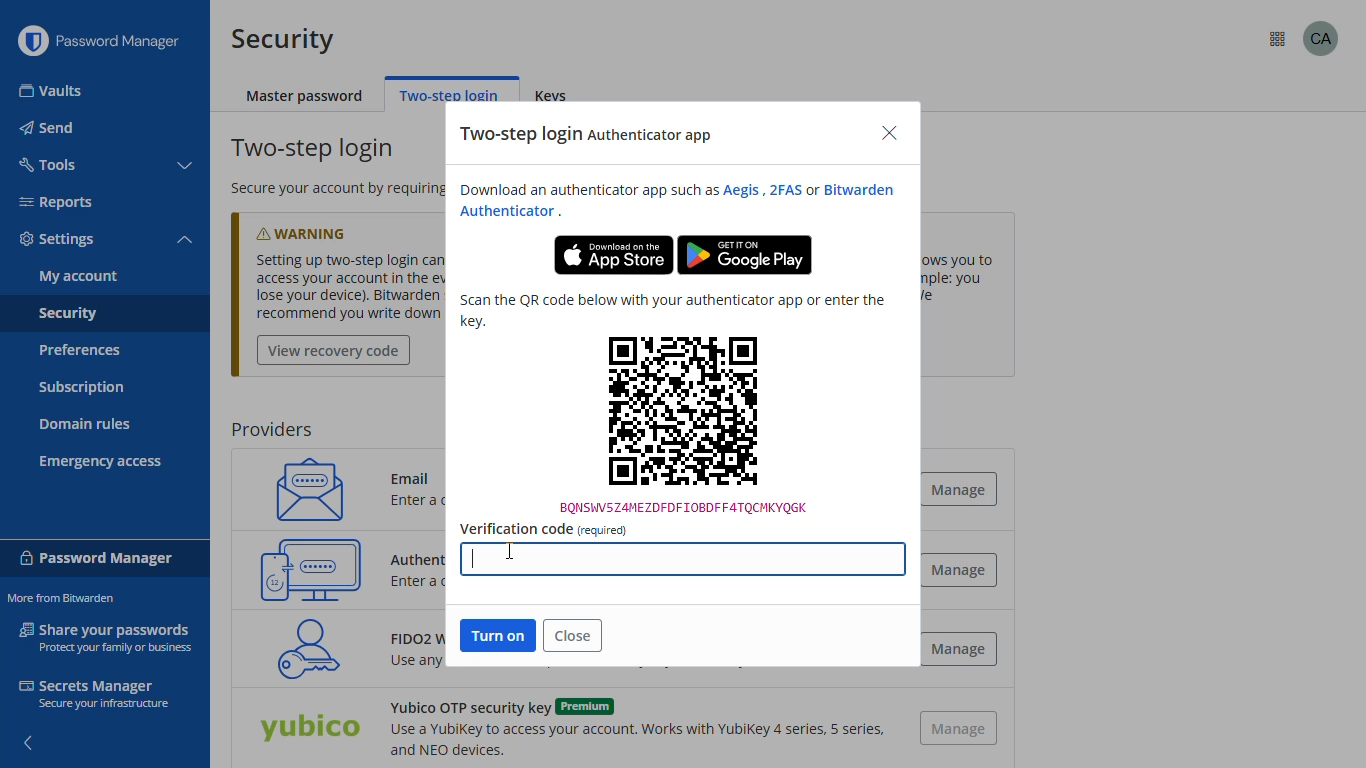 This screenshot has width=1366, height=768. What do you see at coordinates (417, 474) in the screenshot?
I see `Email` at bounding box center [417, 474].